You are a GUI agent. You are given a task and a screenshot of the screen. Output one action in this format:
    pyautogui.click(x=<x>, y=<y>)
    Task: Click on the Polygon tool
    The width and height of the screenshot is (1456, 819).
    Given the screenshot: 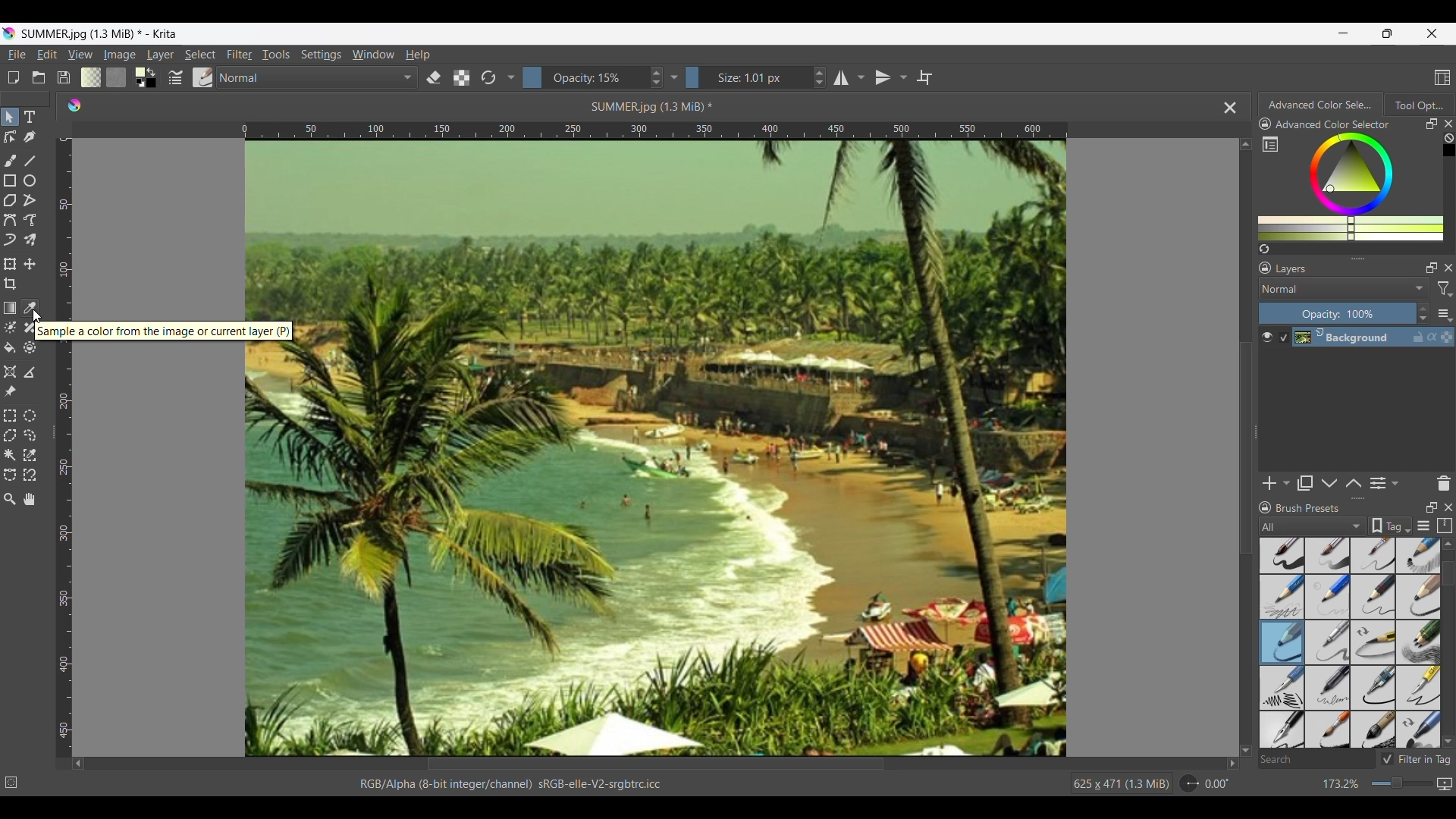 What is the action you would take?
    pyautogui.click(x=10, y=201)
    